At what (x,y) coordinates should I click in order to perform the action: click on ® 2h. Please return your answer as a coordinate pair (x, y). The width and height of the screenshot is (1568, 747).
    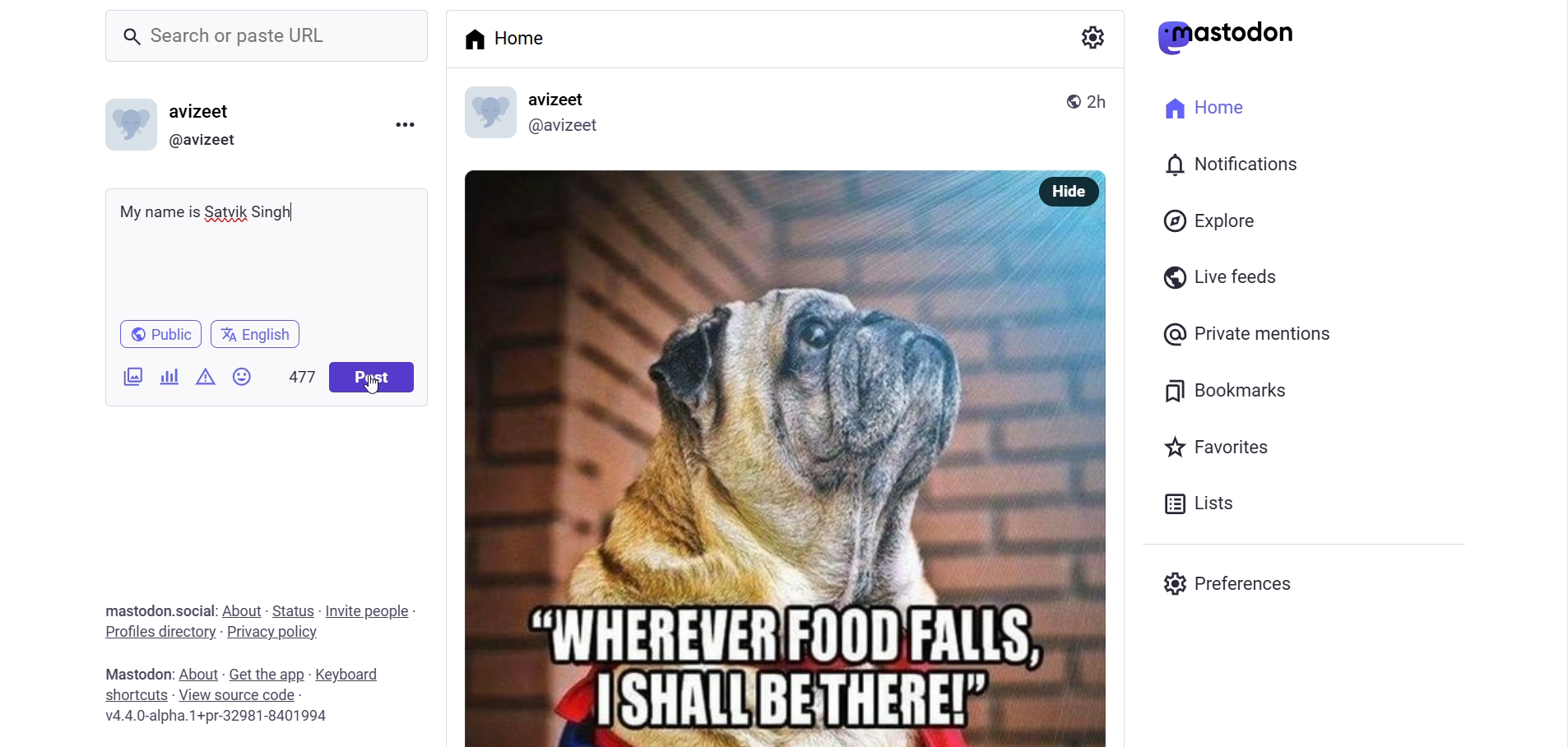
    Looking at the image, I should click on (1074, 104).